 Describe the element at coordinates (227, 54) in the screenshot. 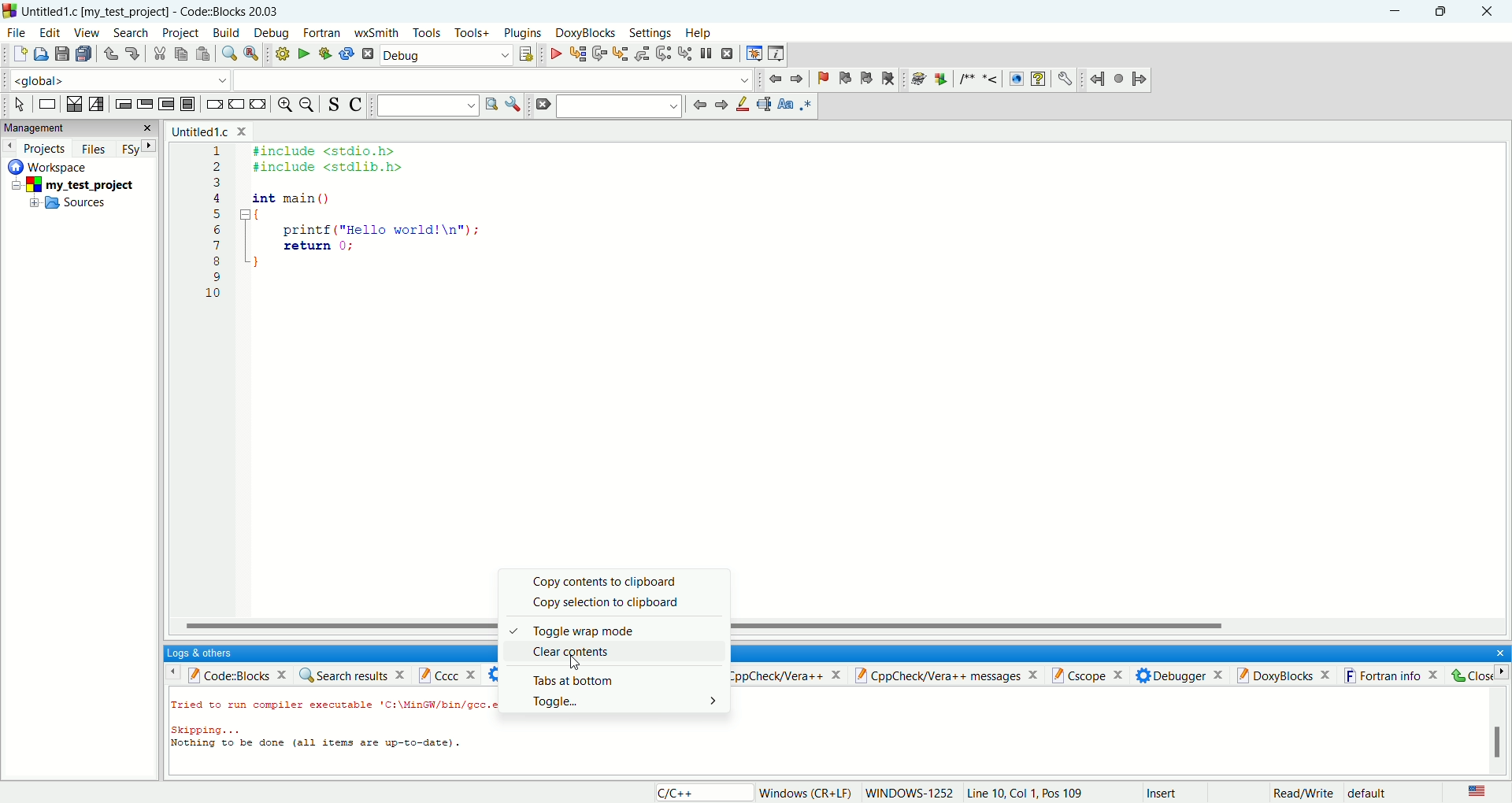

I see `find` at that location.